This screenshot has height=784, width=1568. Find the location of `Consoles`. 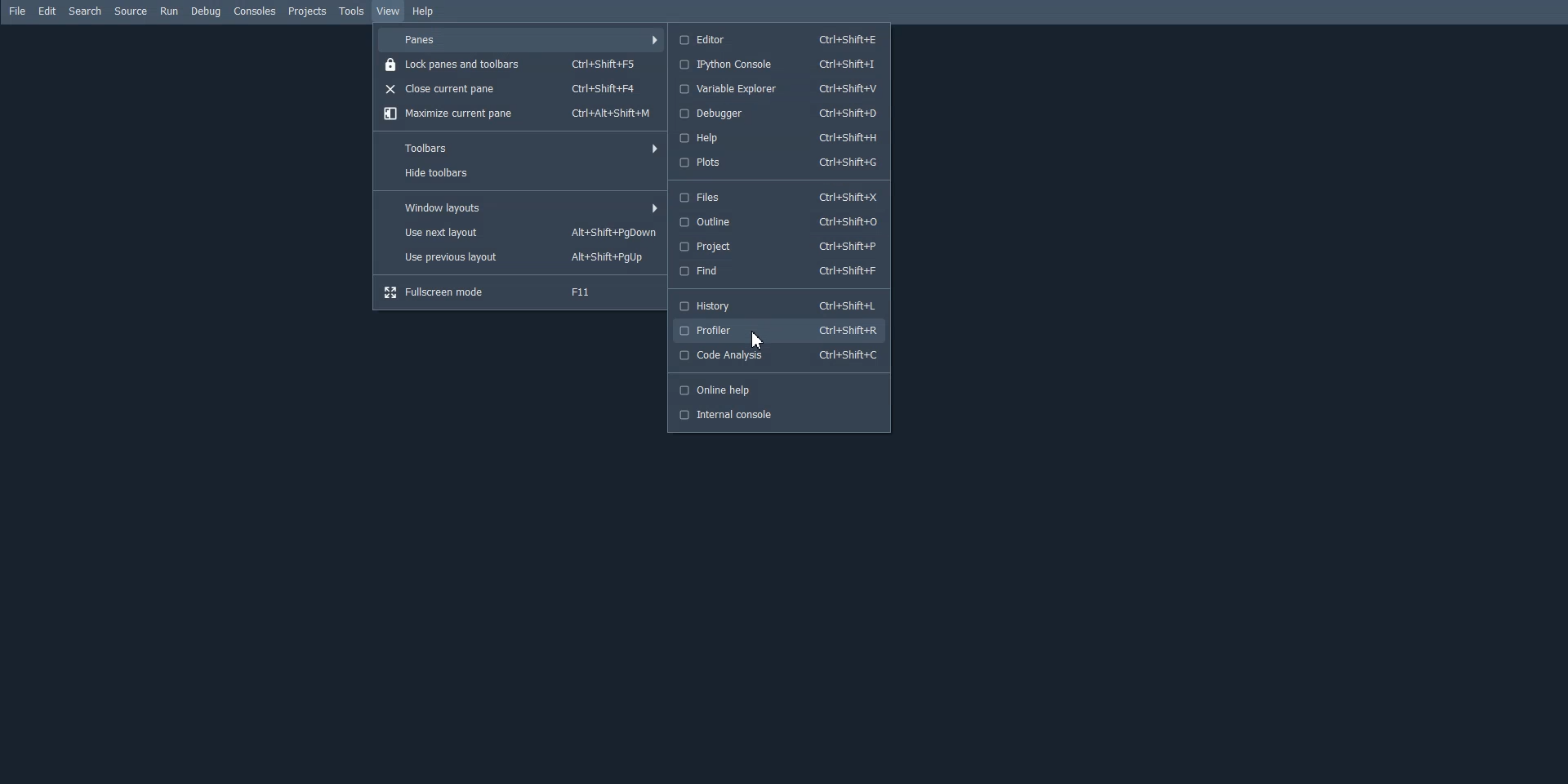

Consoles is located at coordinates (255, 11).